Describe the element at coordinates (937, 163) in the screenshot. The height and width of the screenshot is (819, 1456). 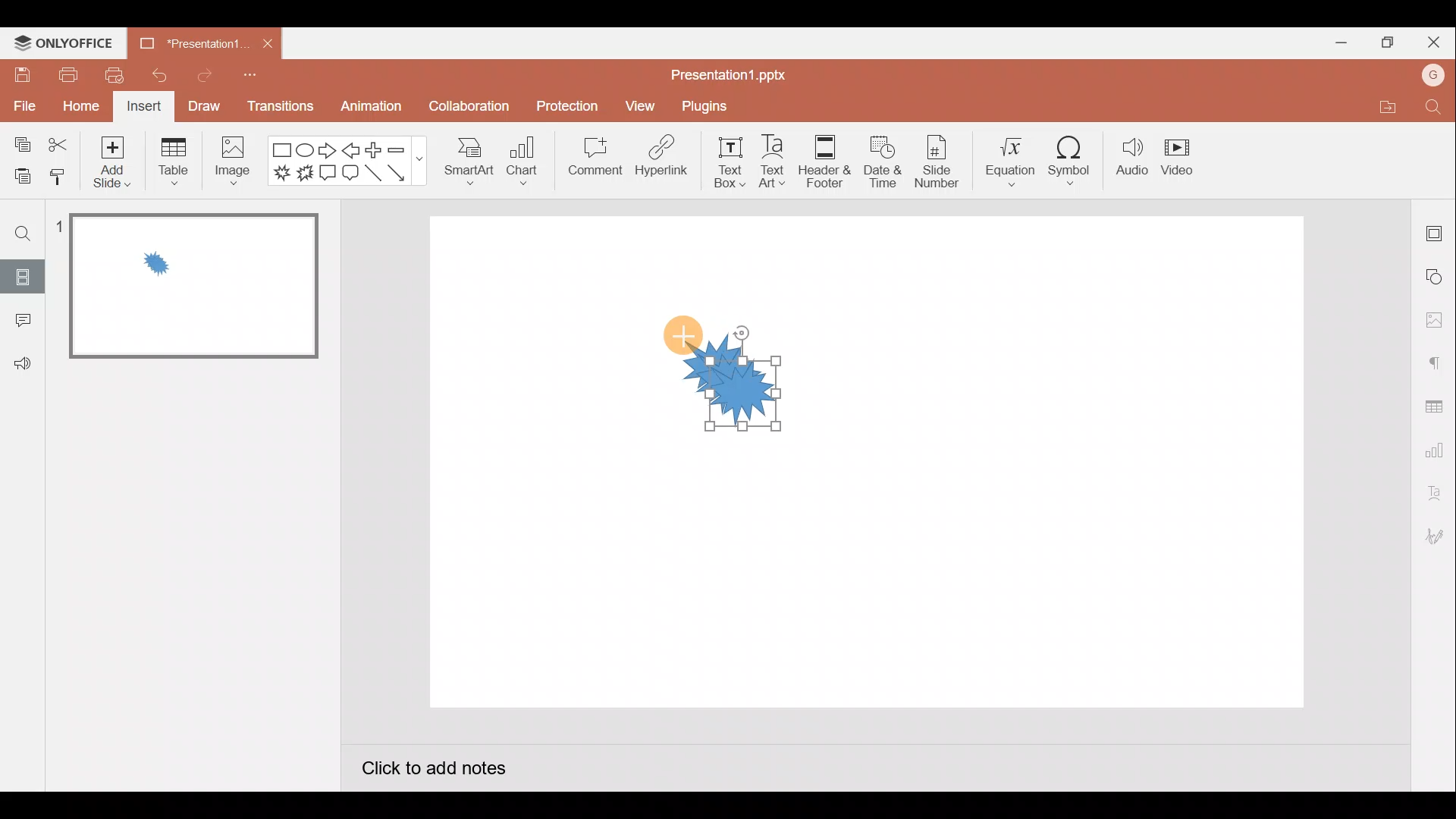
I see `Slide number` at that location.